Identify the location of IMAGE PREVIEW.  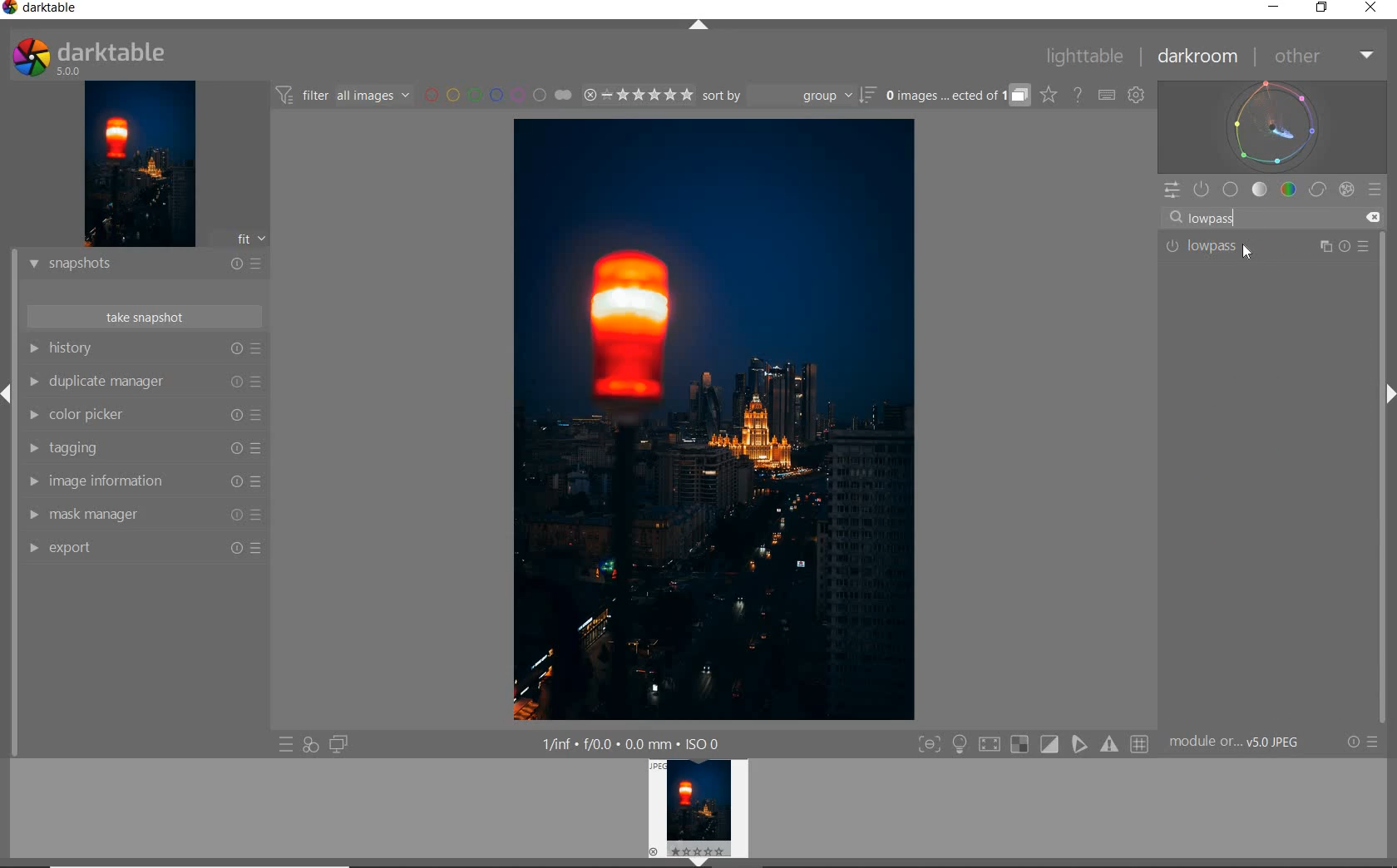
(140, 163).